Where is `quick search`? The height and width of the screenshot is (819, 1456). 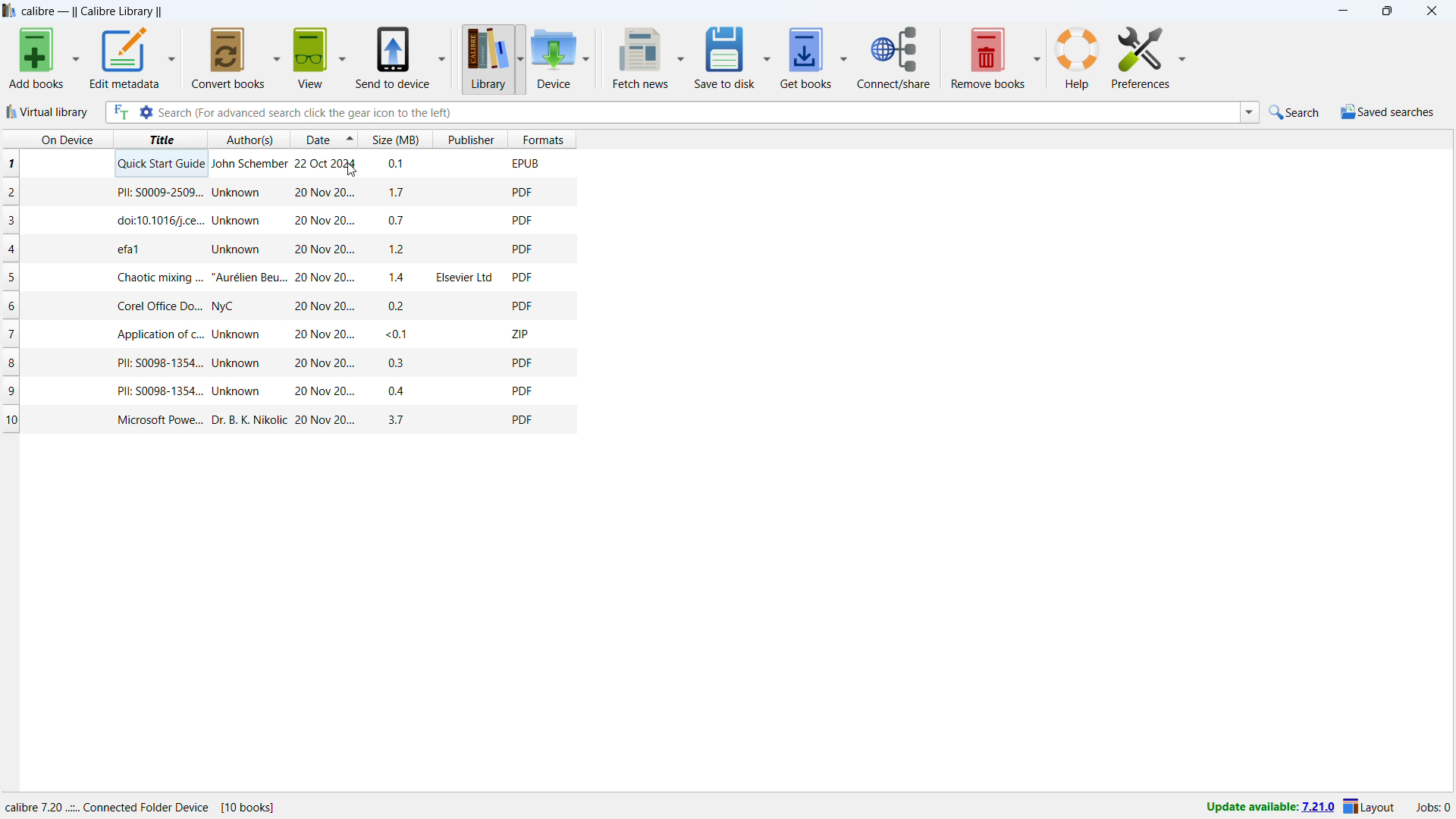 quick search is located at coordinates (1295, 112).